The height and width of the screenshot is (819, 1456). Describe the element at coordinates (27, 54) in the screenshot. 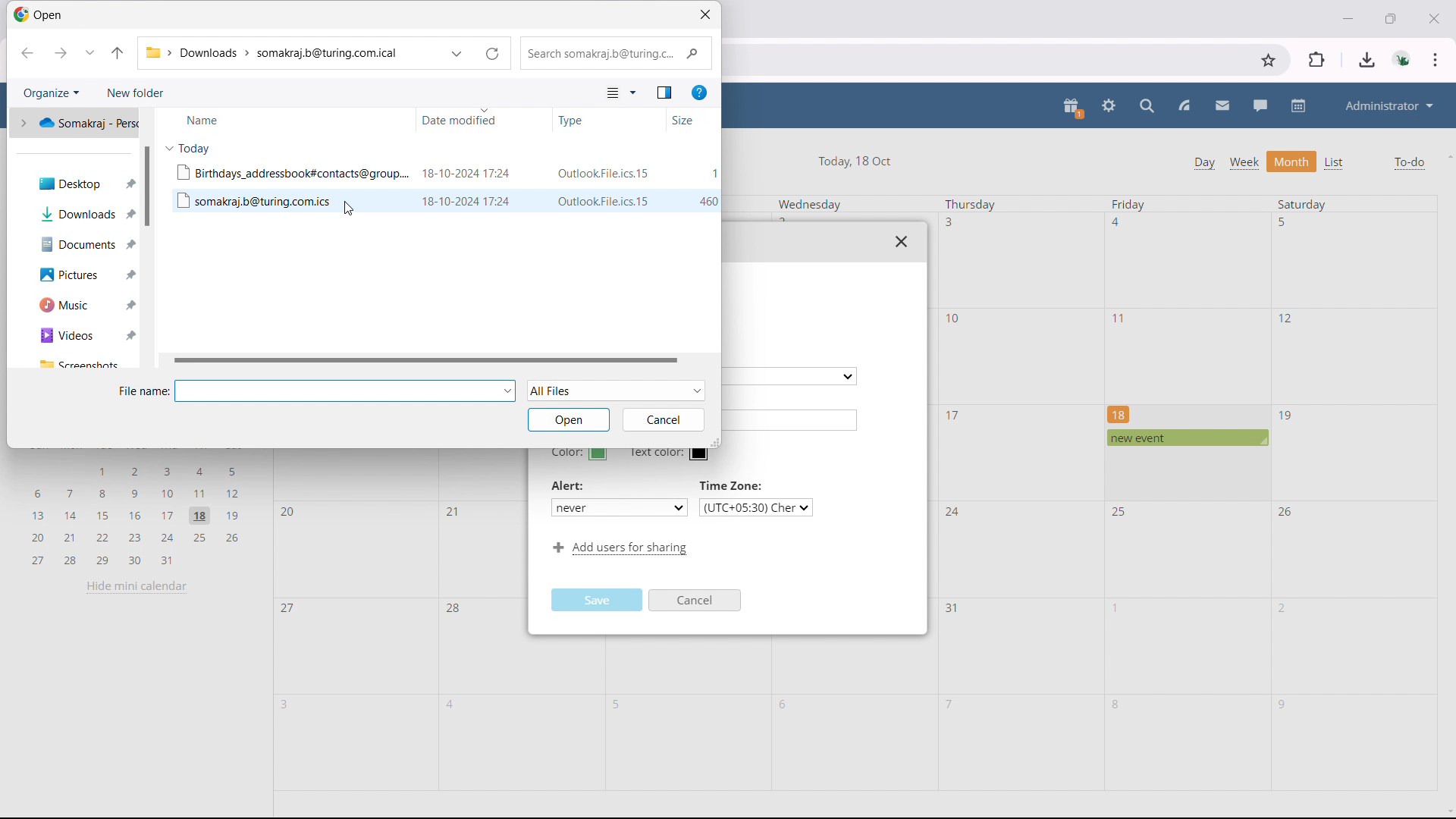

I see `previous location` at that location.